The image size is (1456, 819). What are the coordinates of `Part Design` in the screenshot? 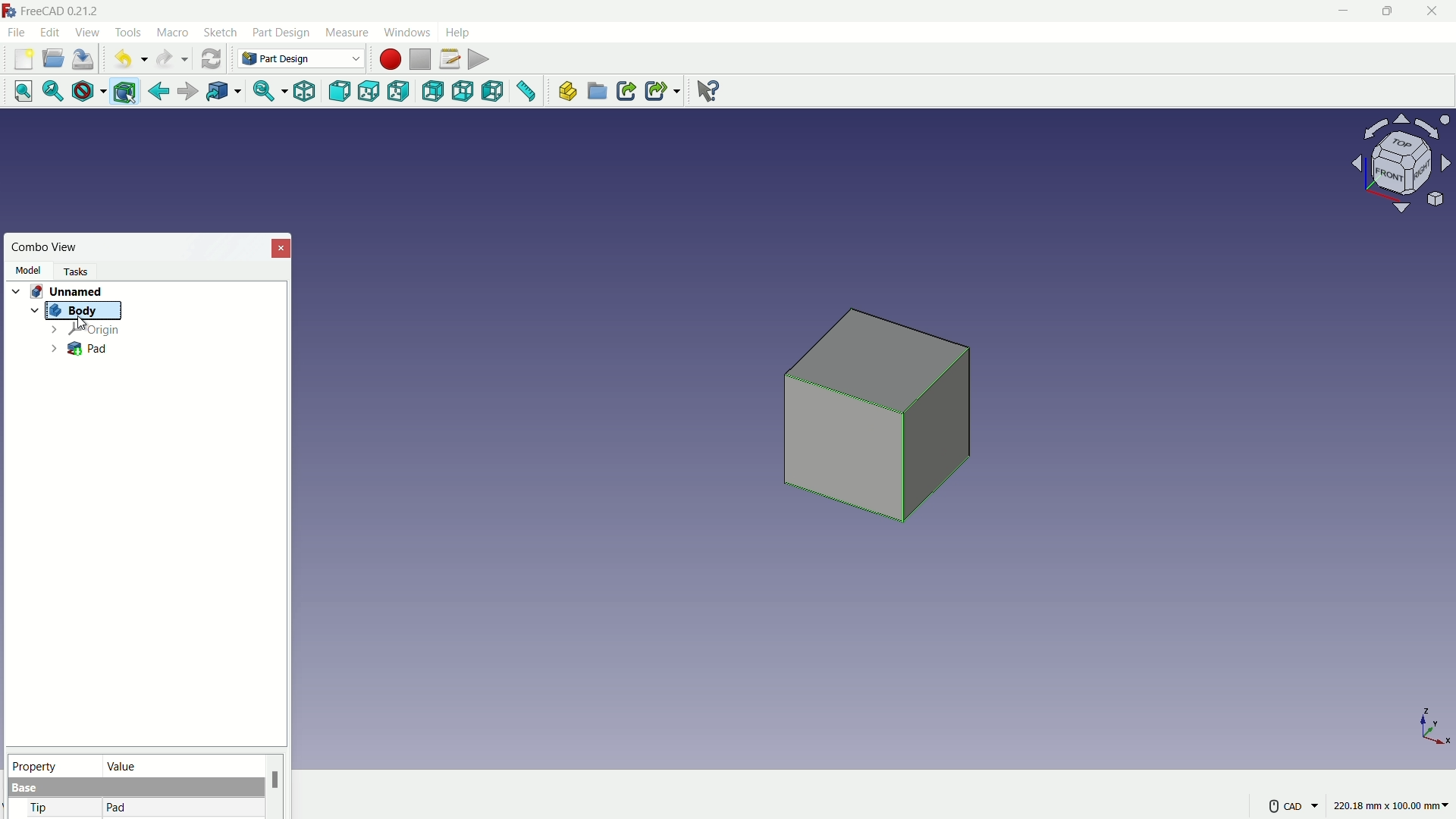 It's located at (301, 58).